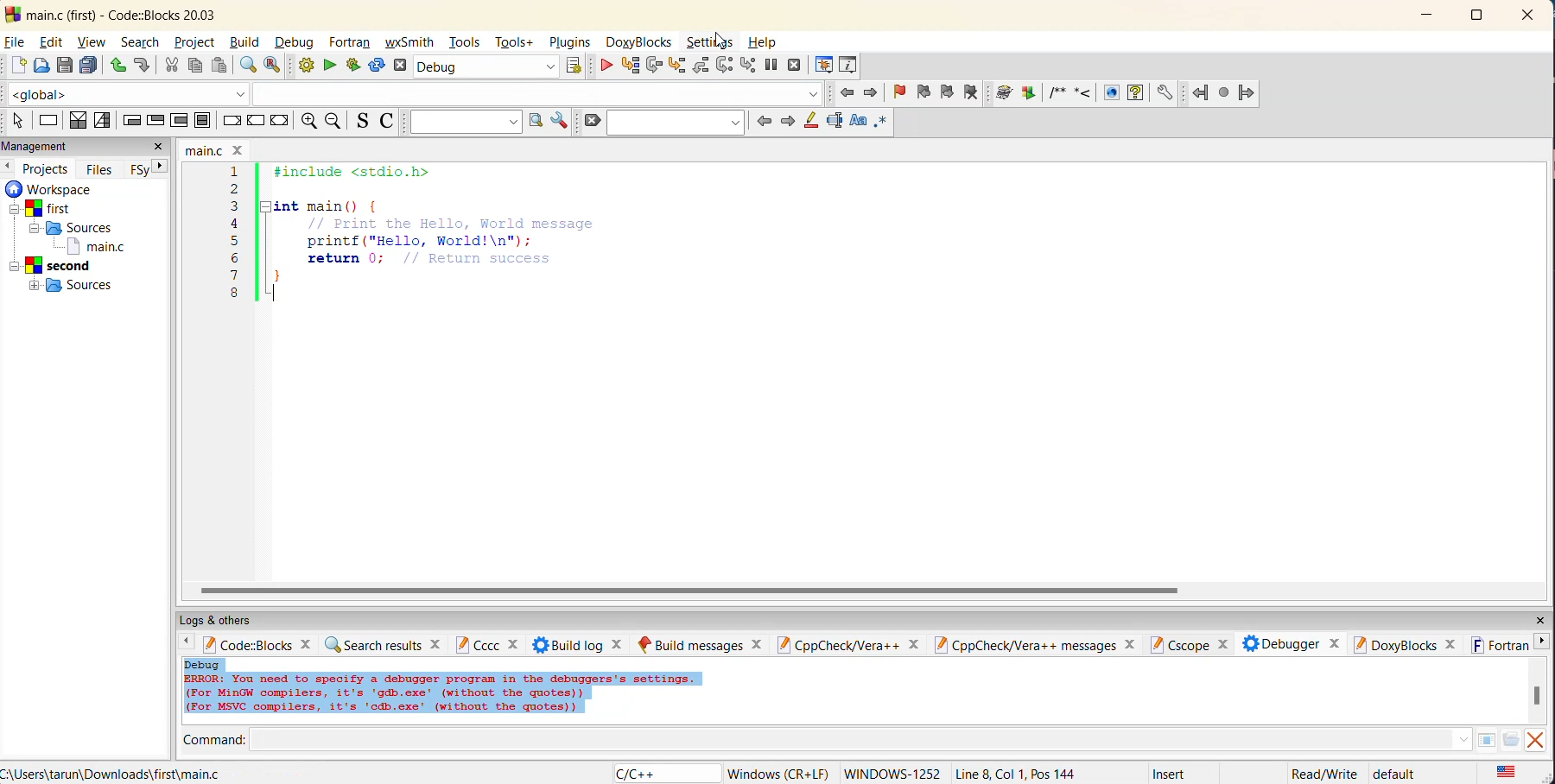 The width and height of the screenshot is (1555, 784). What do you see at coordinates (442, 687) in the screenshot?
I see `Debug

|ERROR: You need to specify a debugger program in the debuggers's settings.
(For MinGW compilers, it's 'gdb.exe' (without the quotes))

(For MSVC compilers, it's 'odb.exe' (without the quotes))` at bounding box center [442, 687].